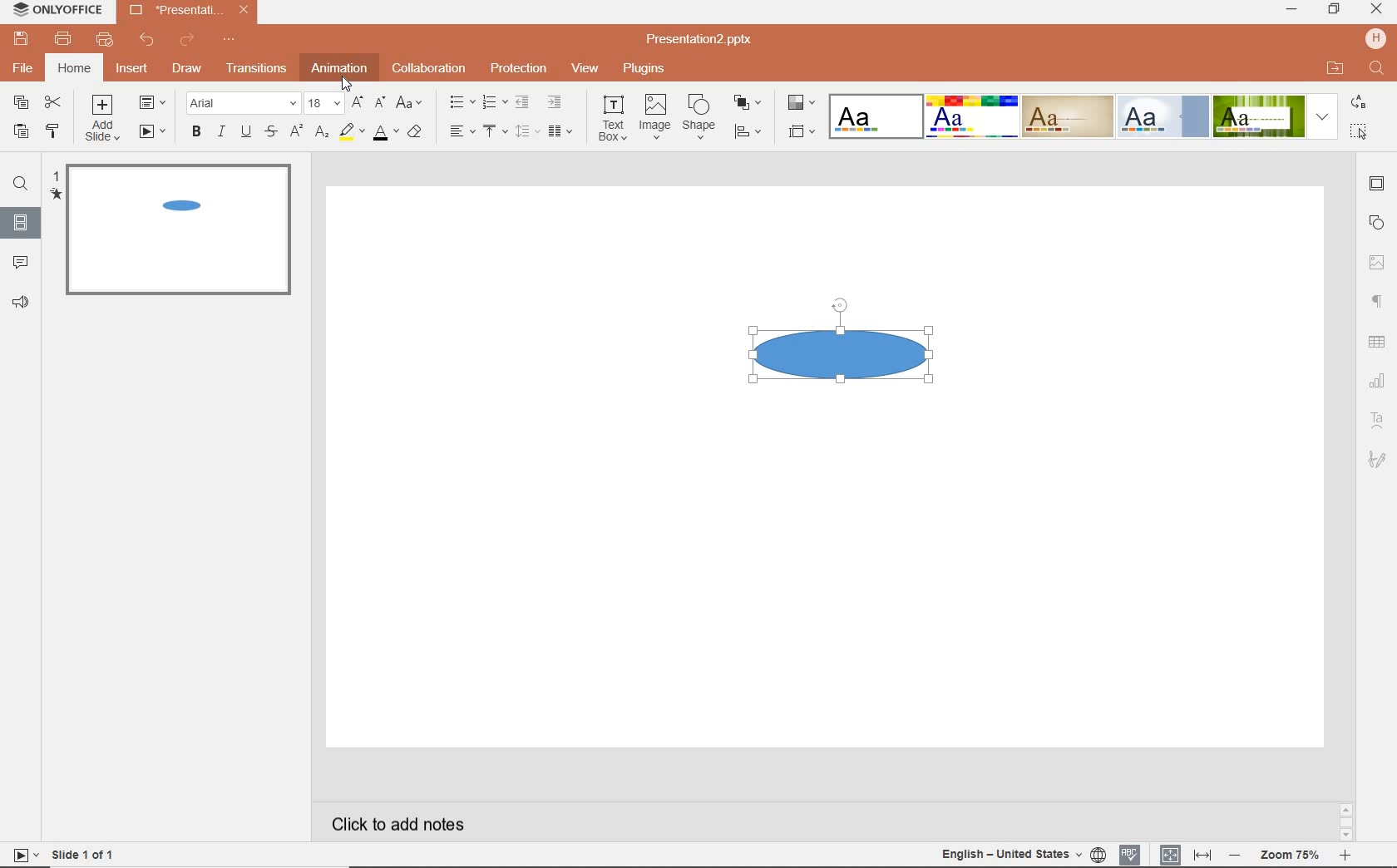  Describe the element at coordinates (229, 39) in the screenshot. I see `customize quick access toolbar` at that location.